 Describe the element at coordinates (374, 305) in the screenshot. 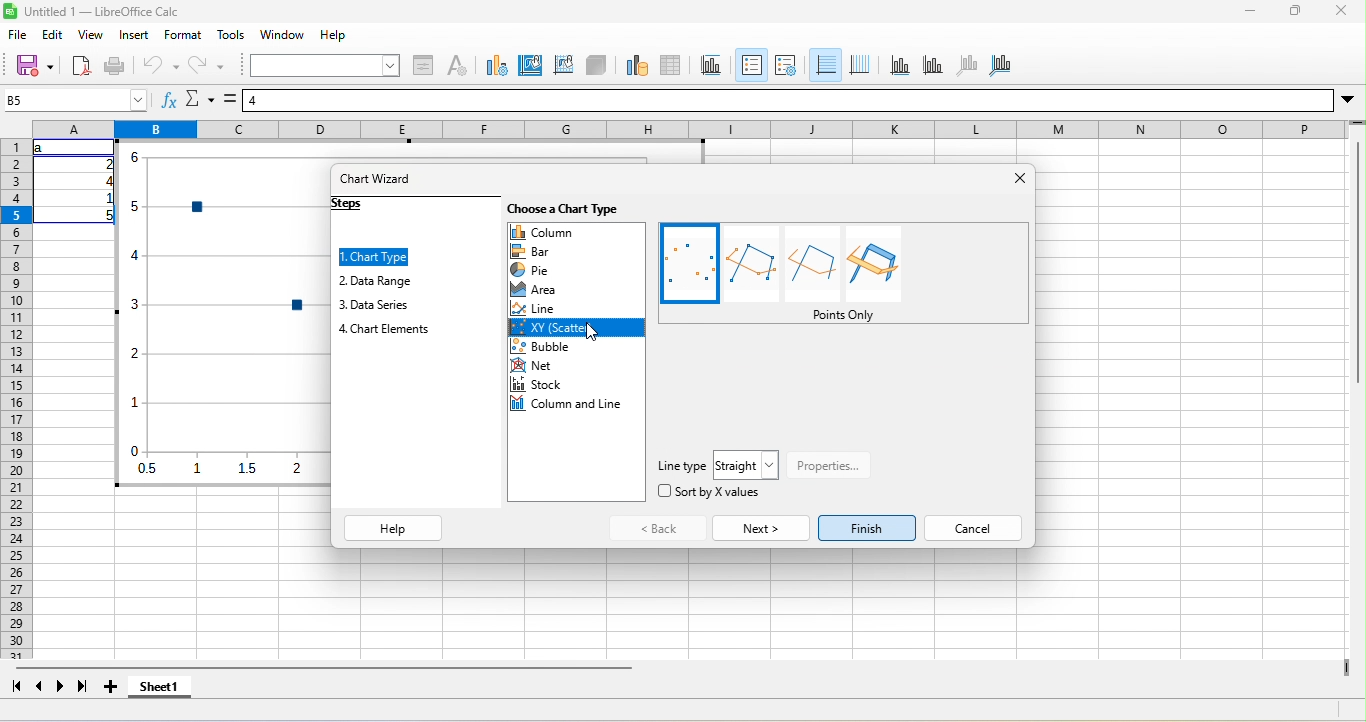

I see `data series` at that location.